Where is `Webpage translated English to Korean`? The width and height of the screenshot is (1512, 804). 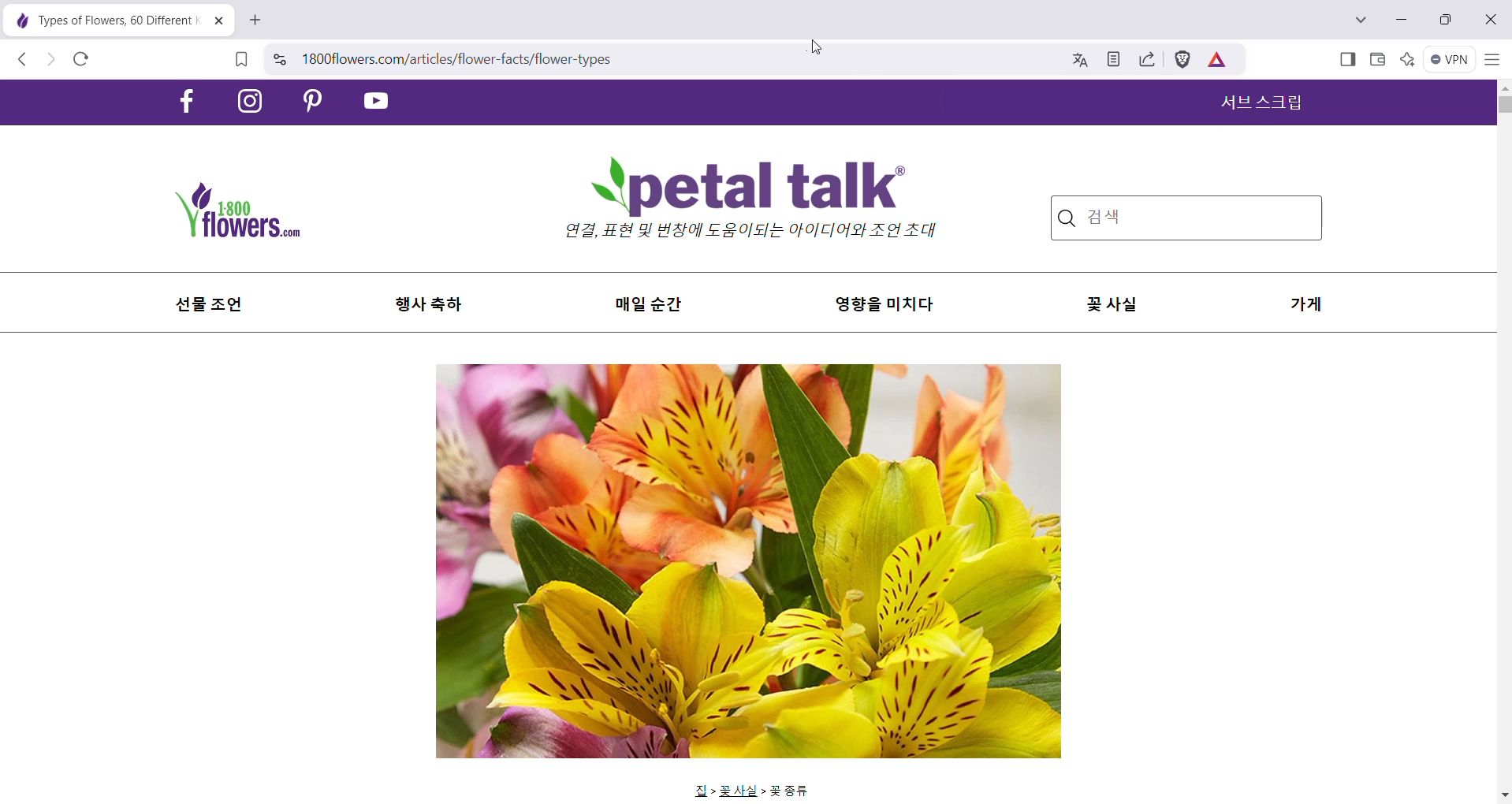 Webpage translated English to Korean is located at coordinates (750, 443).